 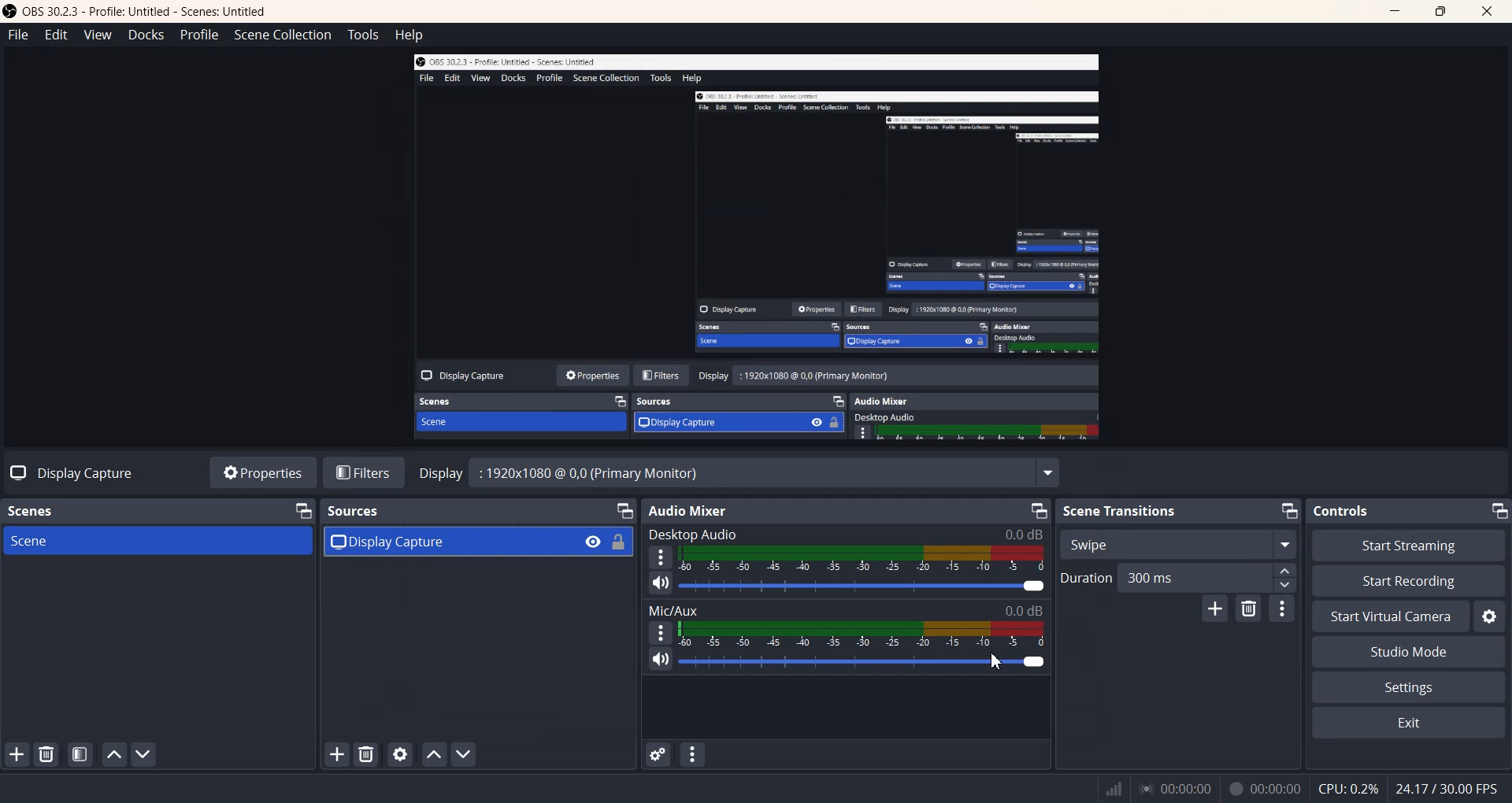 I want to click on Display Audio, so click(x=710, y=534).